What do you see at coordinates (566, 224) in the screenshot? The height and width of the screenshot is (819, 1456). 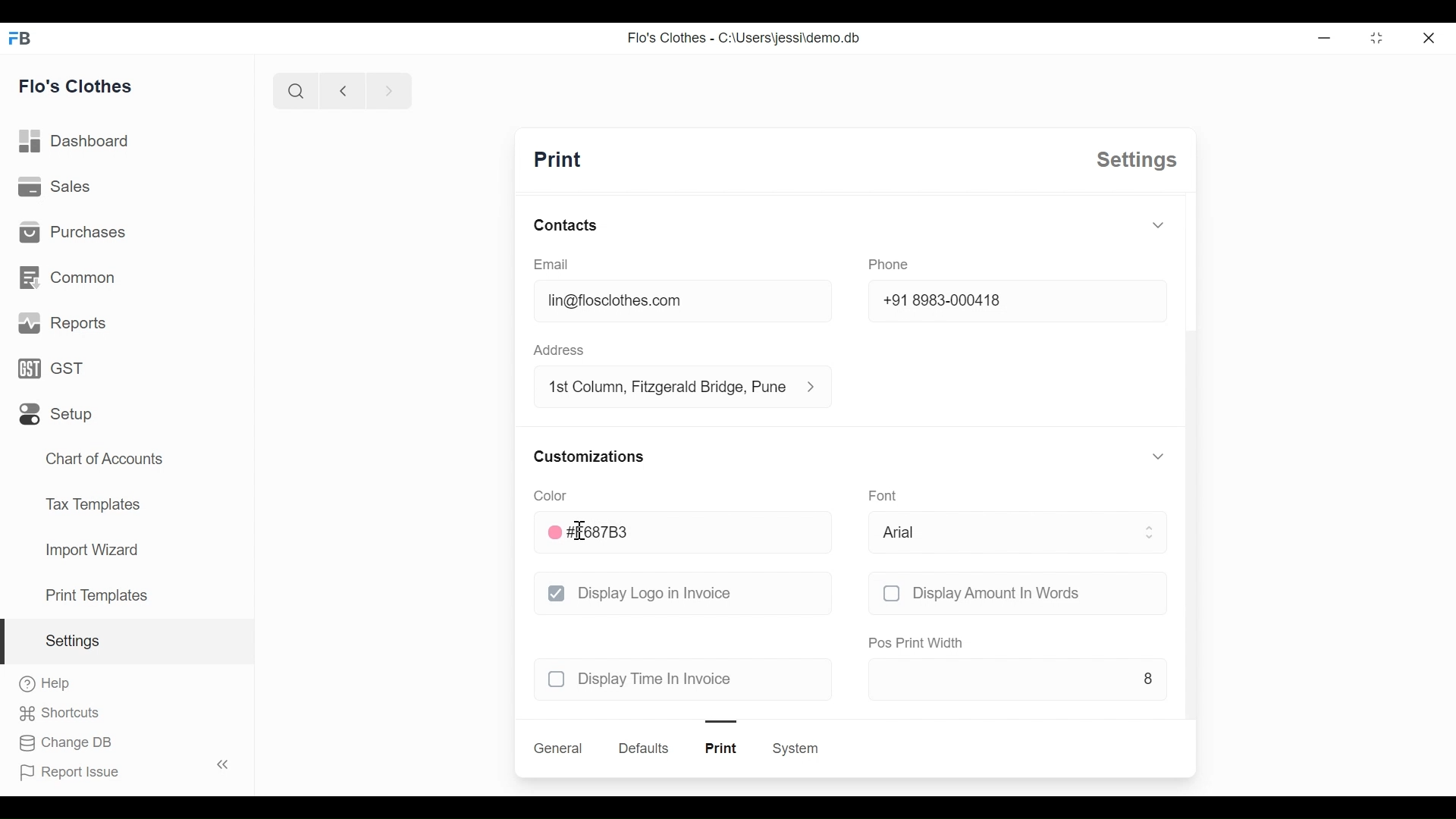 I see `contacts` at bounding box center [566, 224].